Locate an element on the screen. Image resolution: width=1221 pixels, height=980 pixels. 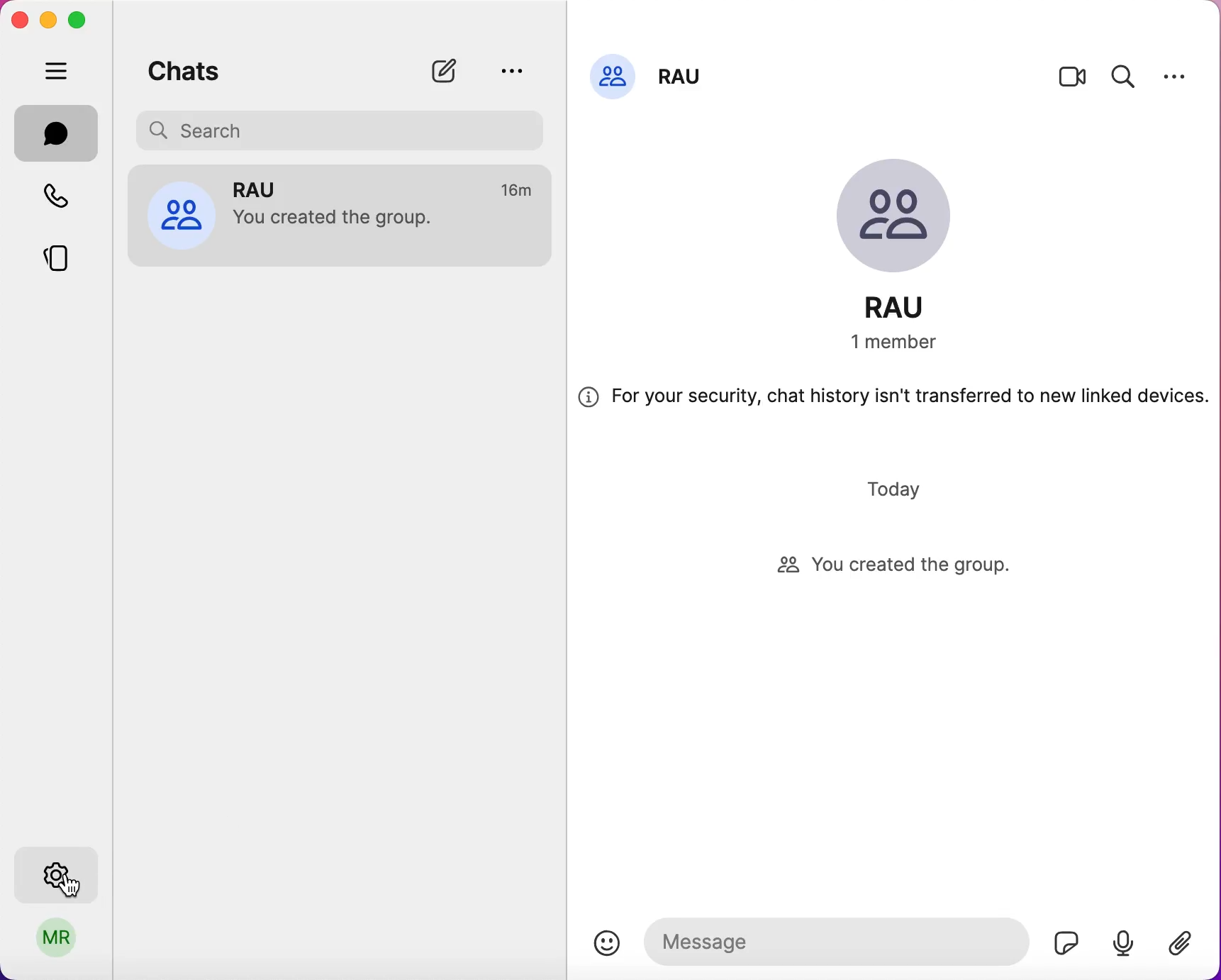
attach is located at coordinates (1187, 945).